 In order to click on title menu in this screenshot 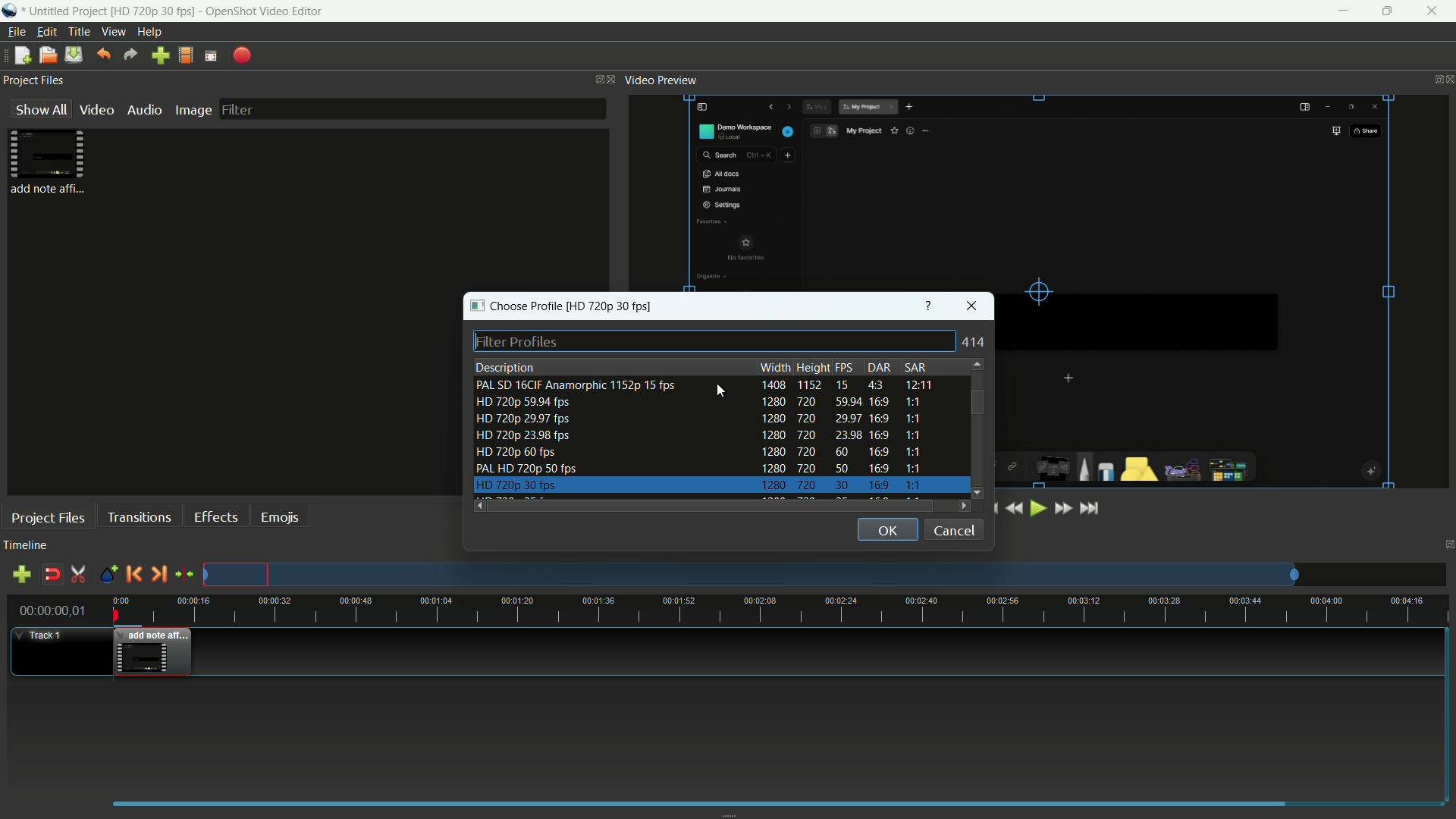, I will do `click(80, 32)`.